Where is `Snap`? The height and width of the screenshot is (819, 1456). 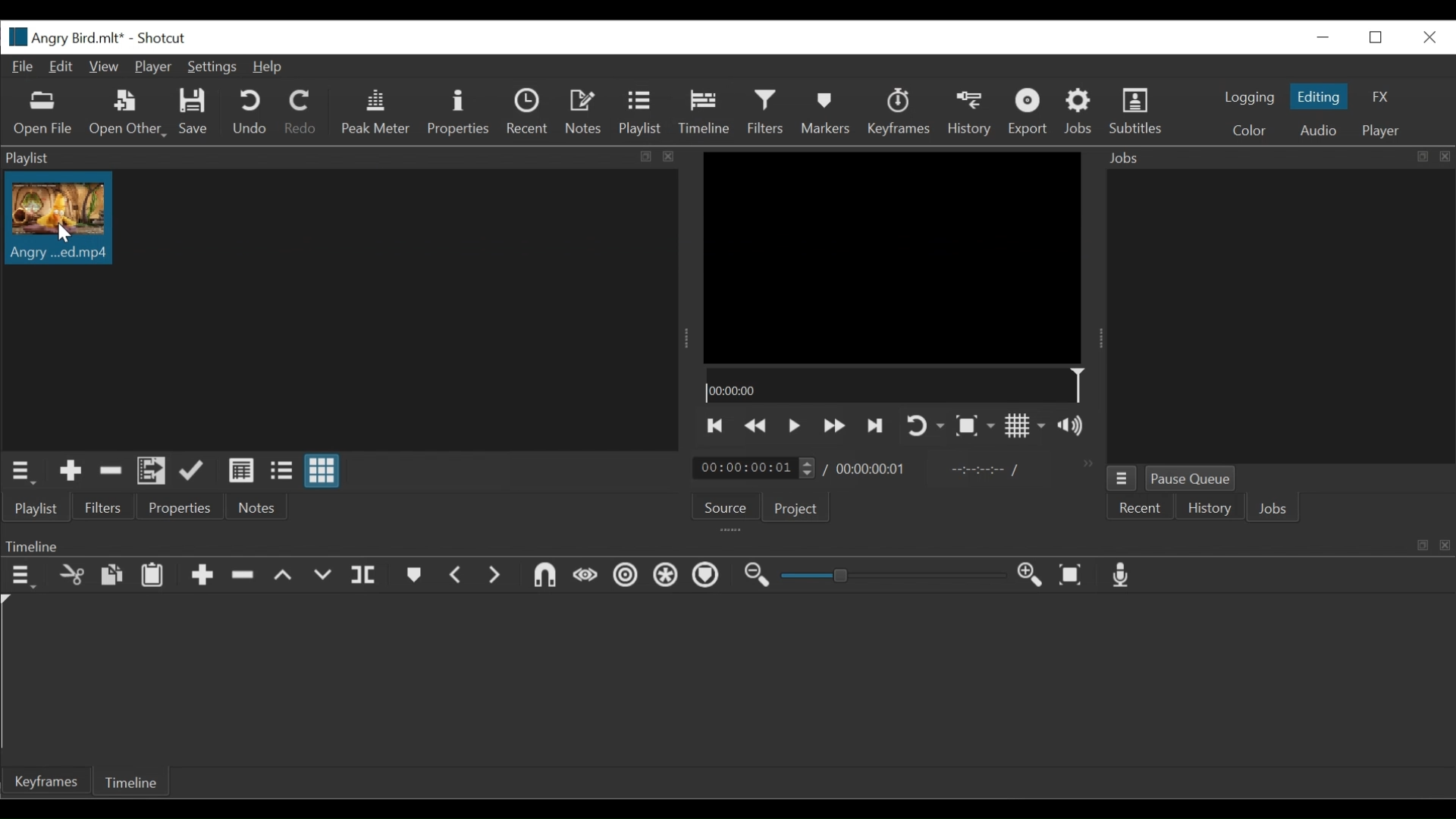 Snap is located at coordinates (544, 576).